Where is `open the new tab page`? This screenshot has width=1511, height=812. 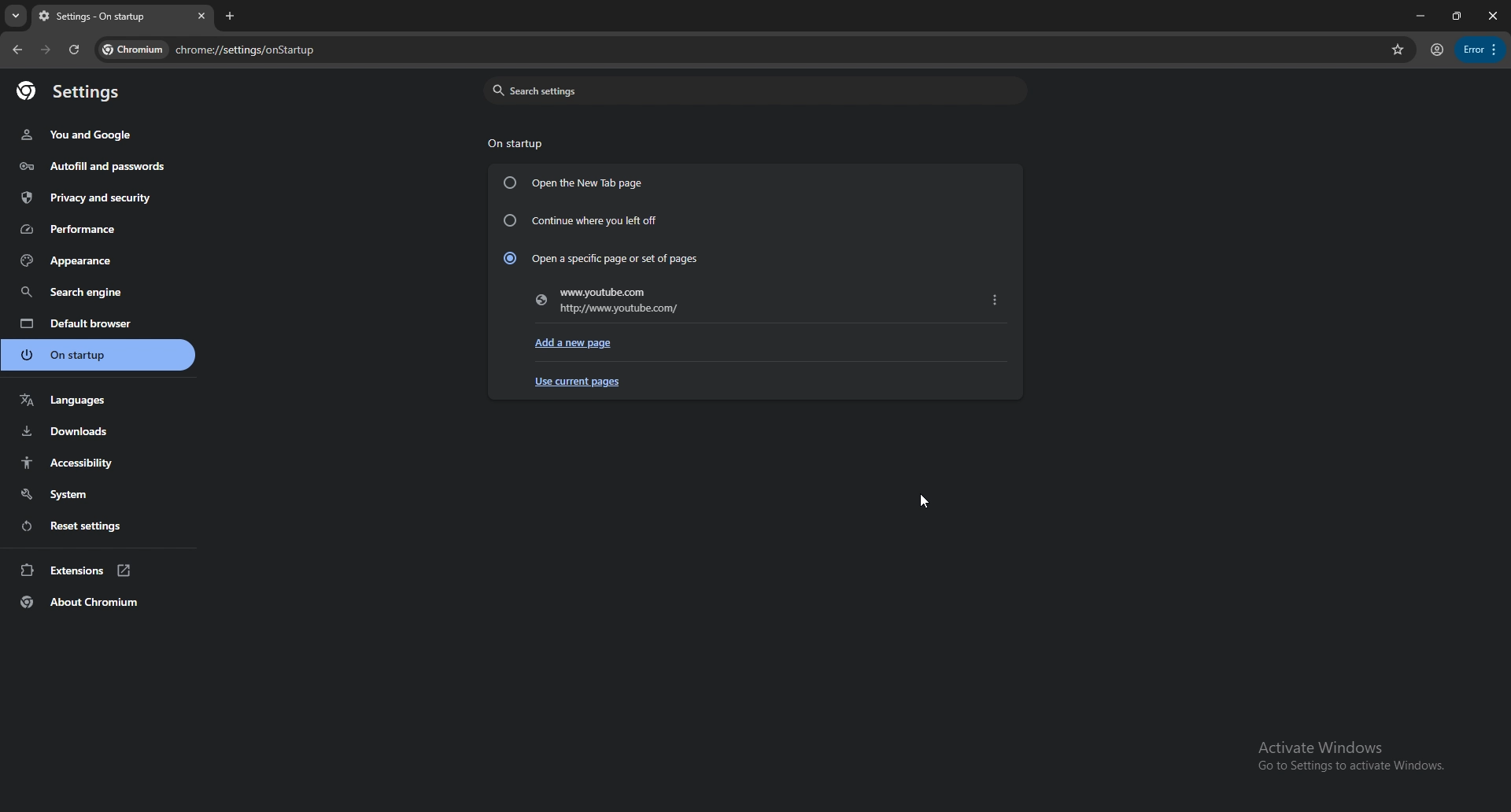
open the new tab page is located at coordinates (573, 183).